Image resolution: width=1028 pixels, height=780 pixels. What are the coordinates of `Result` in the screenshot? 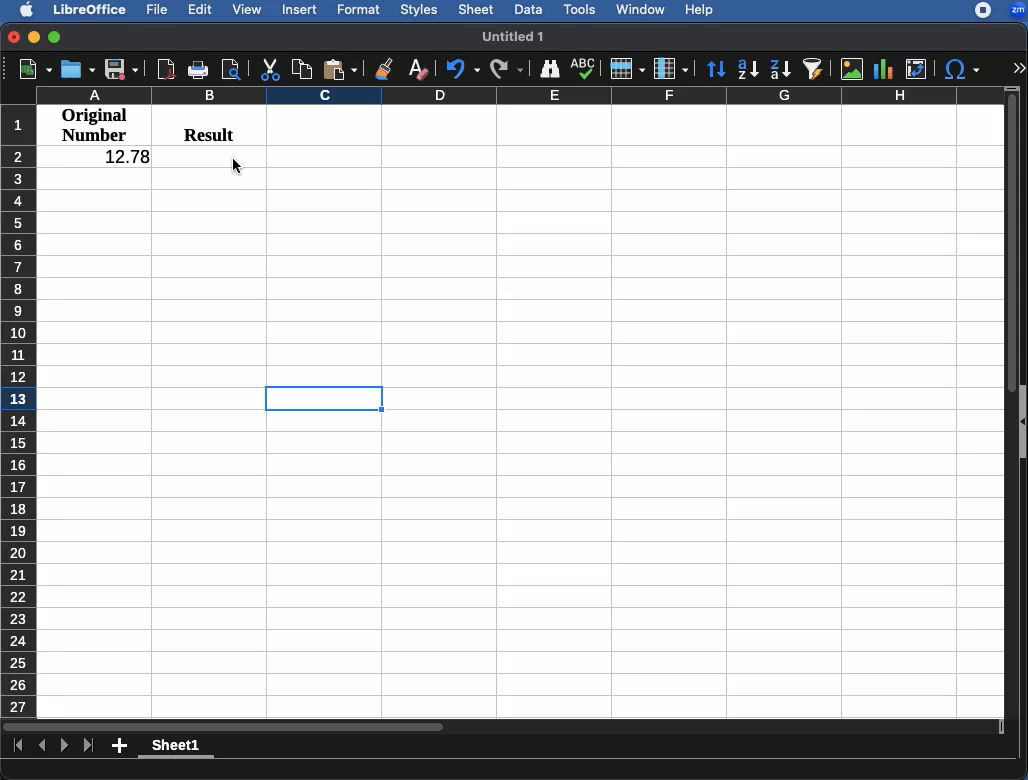 It's located at (202, 132).